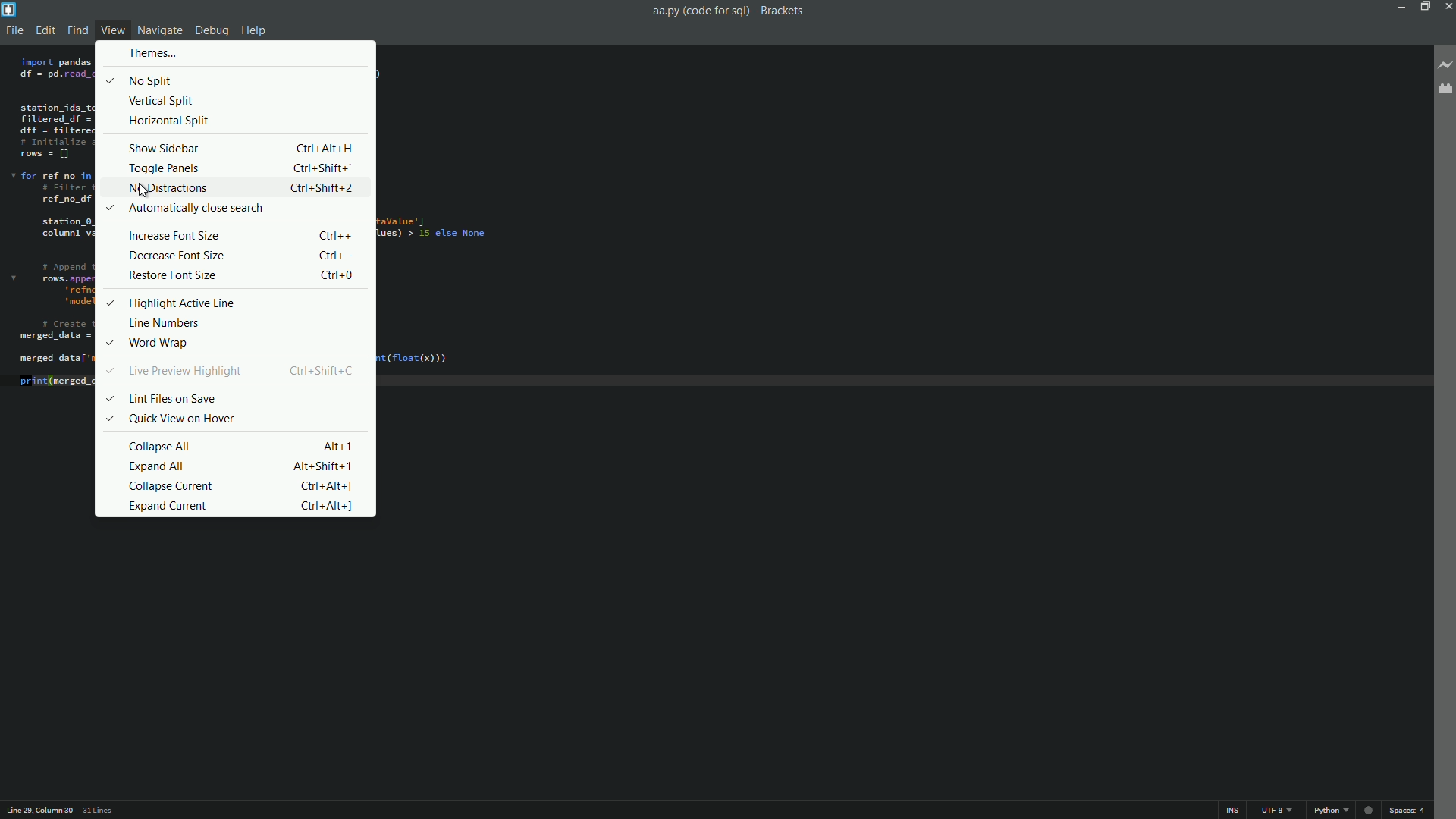 Image resolution: width=1456 pixels, height=819 pixels. Describe the element at coordinates (97, 811) in the screenshot. I see `number of lines` at that location.